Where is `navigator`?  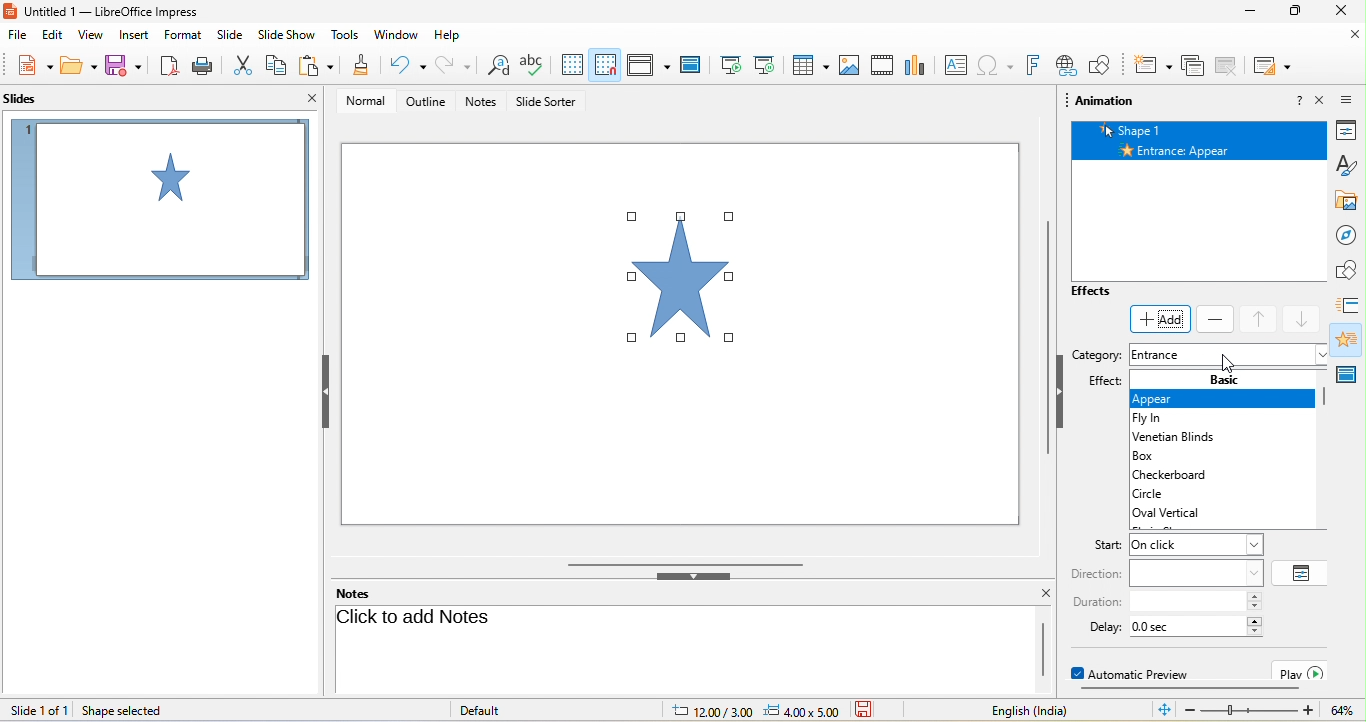 navigator is located at coordinates (1351, 236).